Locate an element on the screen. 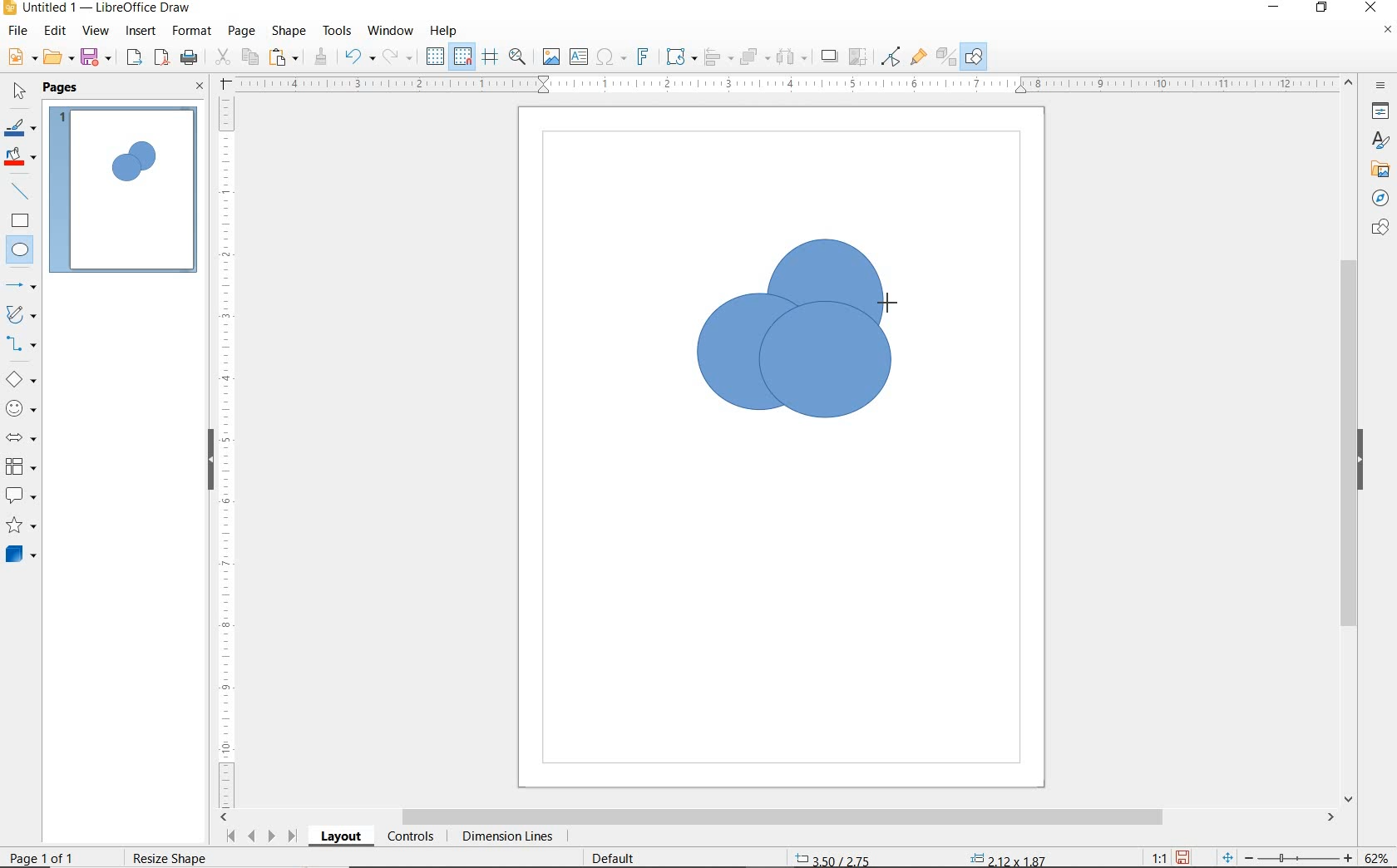 This screenshot has width=1397, height=868. SAVE is located at coordinates (1185, 856).